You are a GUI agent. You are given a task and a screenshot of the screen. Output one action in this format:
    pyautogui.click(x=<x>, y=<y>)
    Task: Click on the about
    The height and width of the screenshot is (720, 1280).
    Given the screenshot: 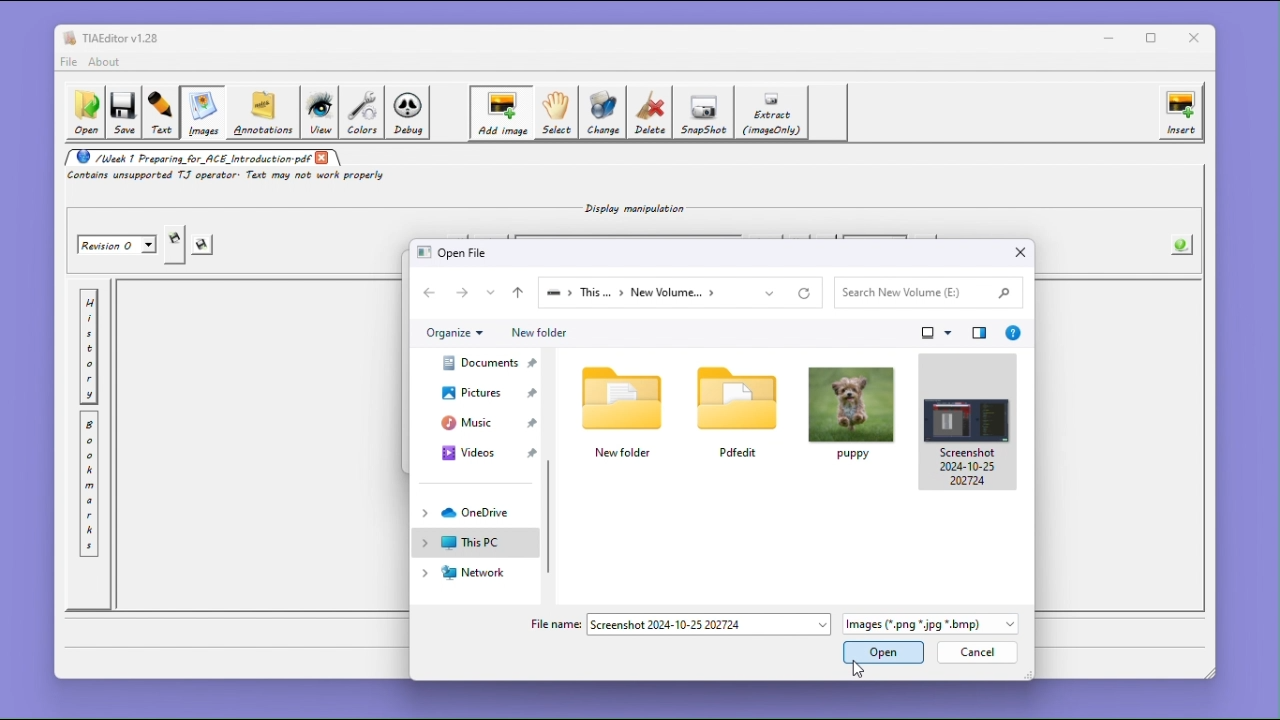 What is the action you would take?
    pyautogui.click(x=107, y=62)
    